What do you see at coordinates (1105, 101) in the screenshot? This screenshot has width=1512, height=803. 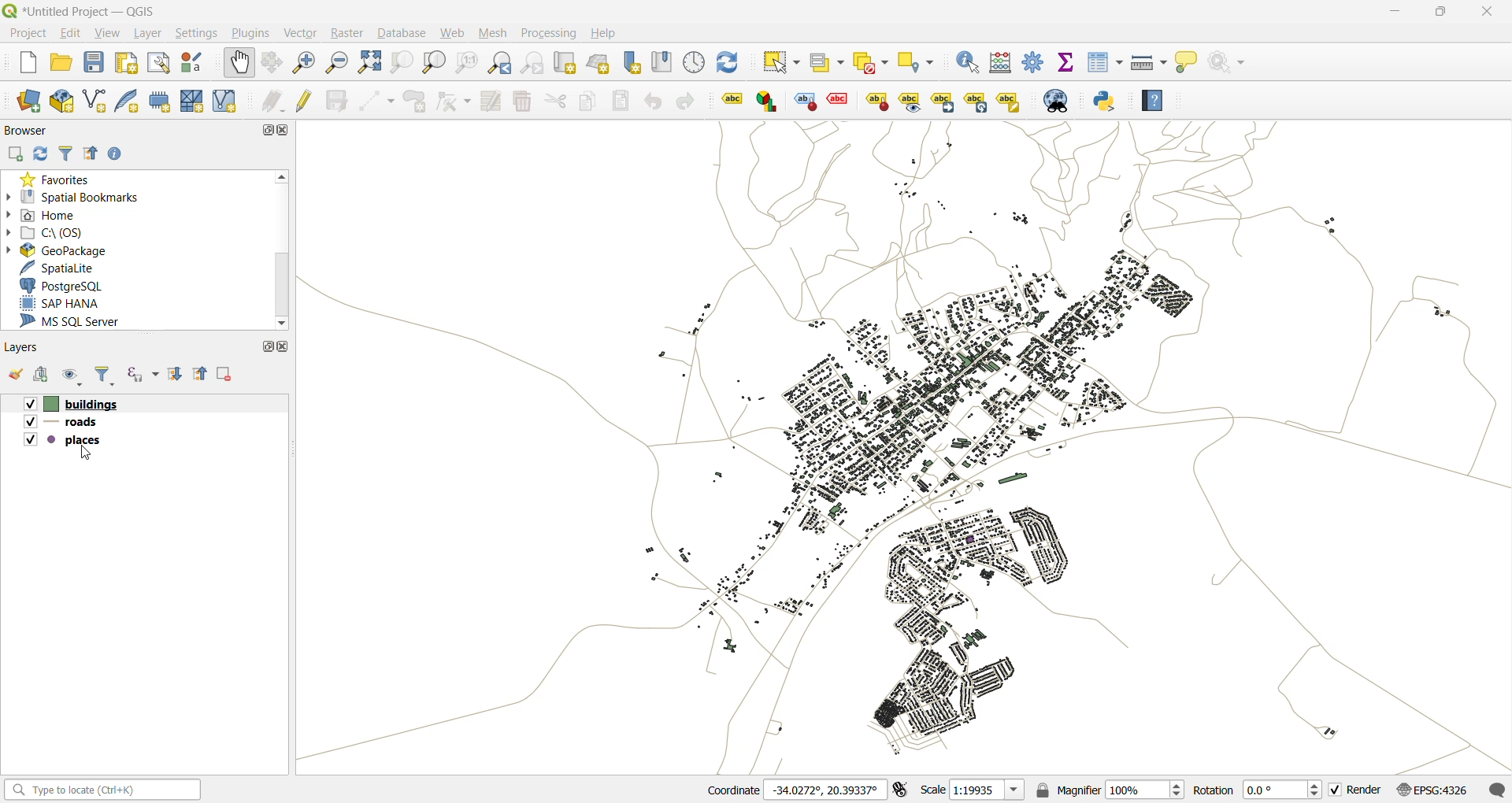 I see `python` at bounding box center [1105, 101].